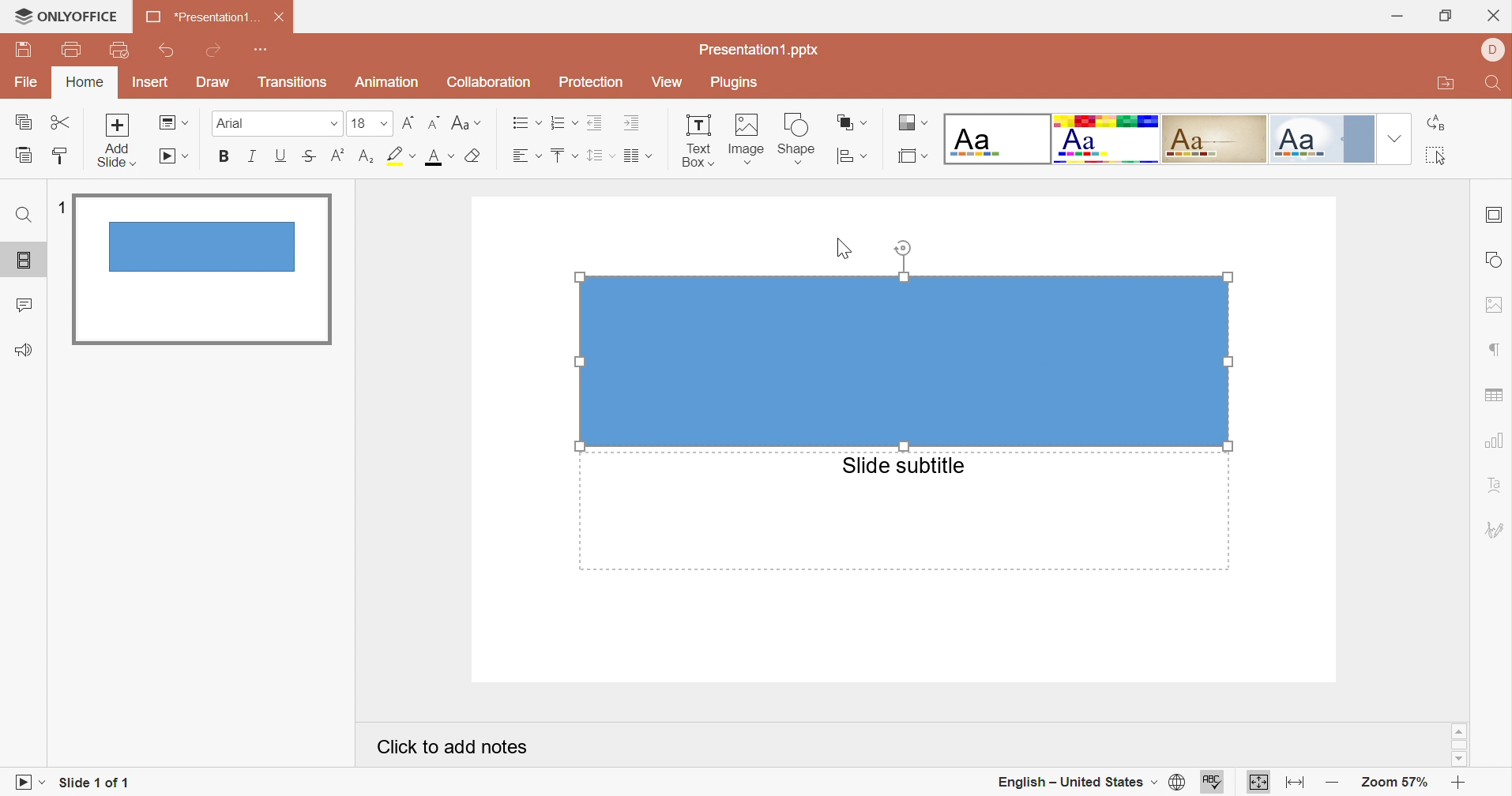 The image size is (1512, 796). What do you see at coordinates (1439, 122) in the screenshot?
I see `Replace` at bounding box center [1439, 122].